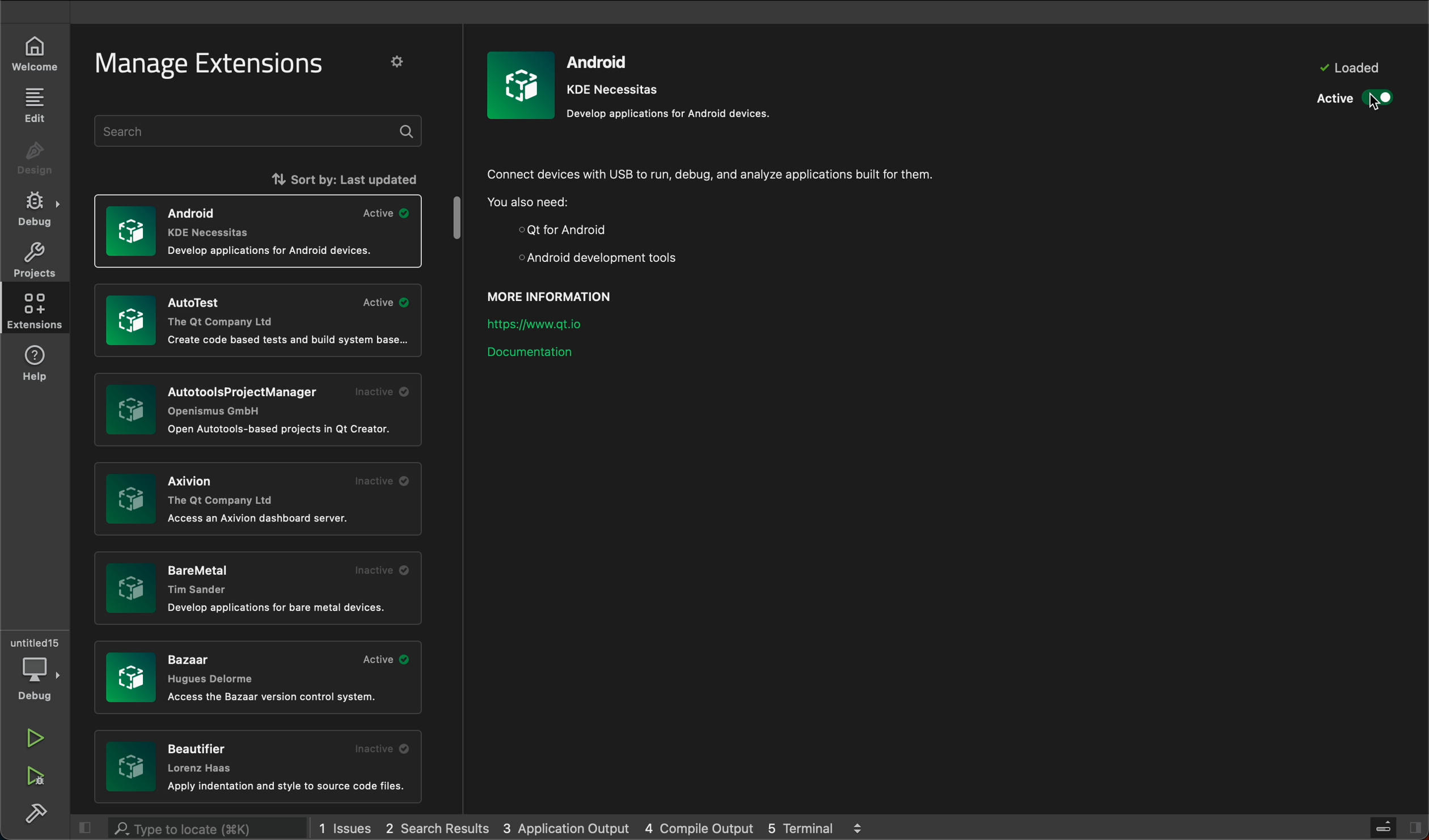 The image size is (1429, 840). I want to click on logs, so click(805, 827).